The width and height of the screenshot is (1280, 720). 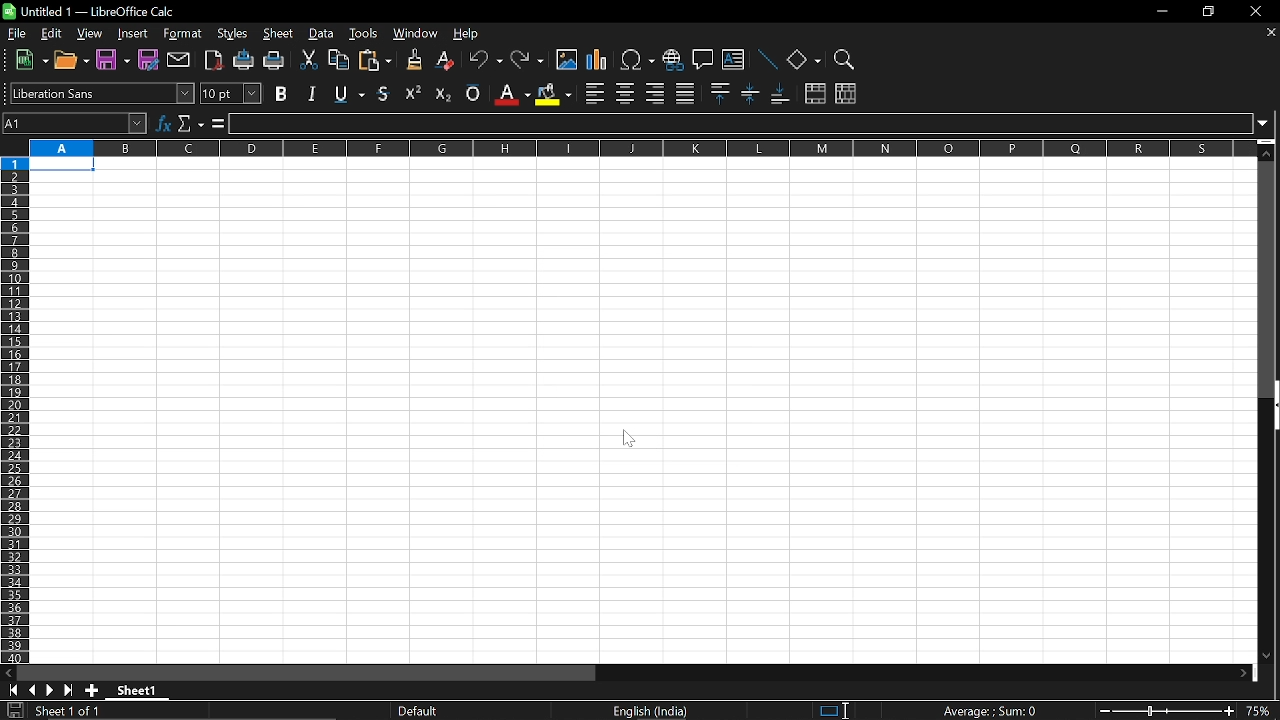 What do you see at coordinates (414, 92) in the screenshot?
I see `superscript` at bounding box center [414, 92].